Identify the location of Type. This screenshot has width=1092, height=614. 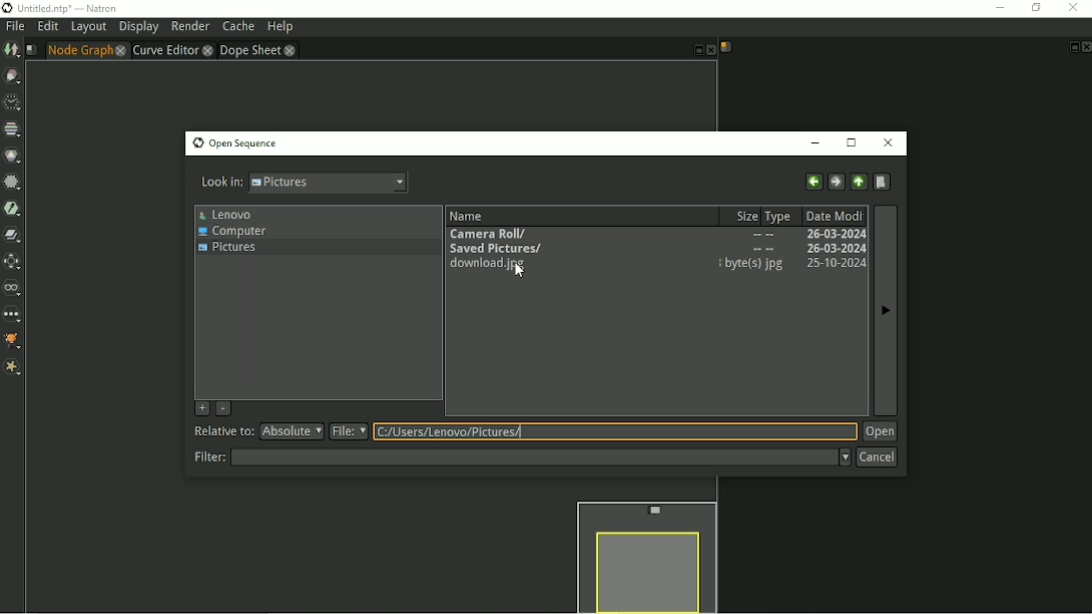
(778, 215).